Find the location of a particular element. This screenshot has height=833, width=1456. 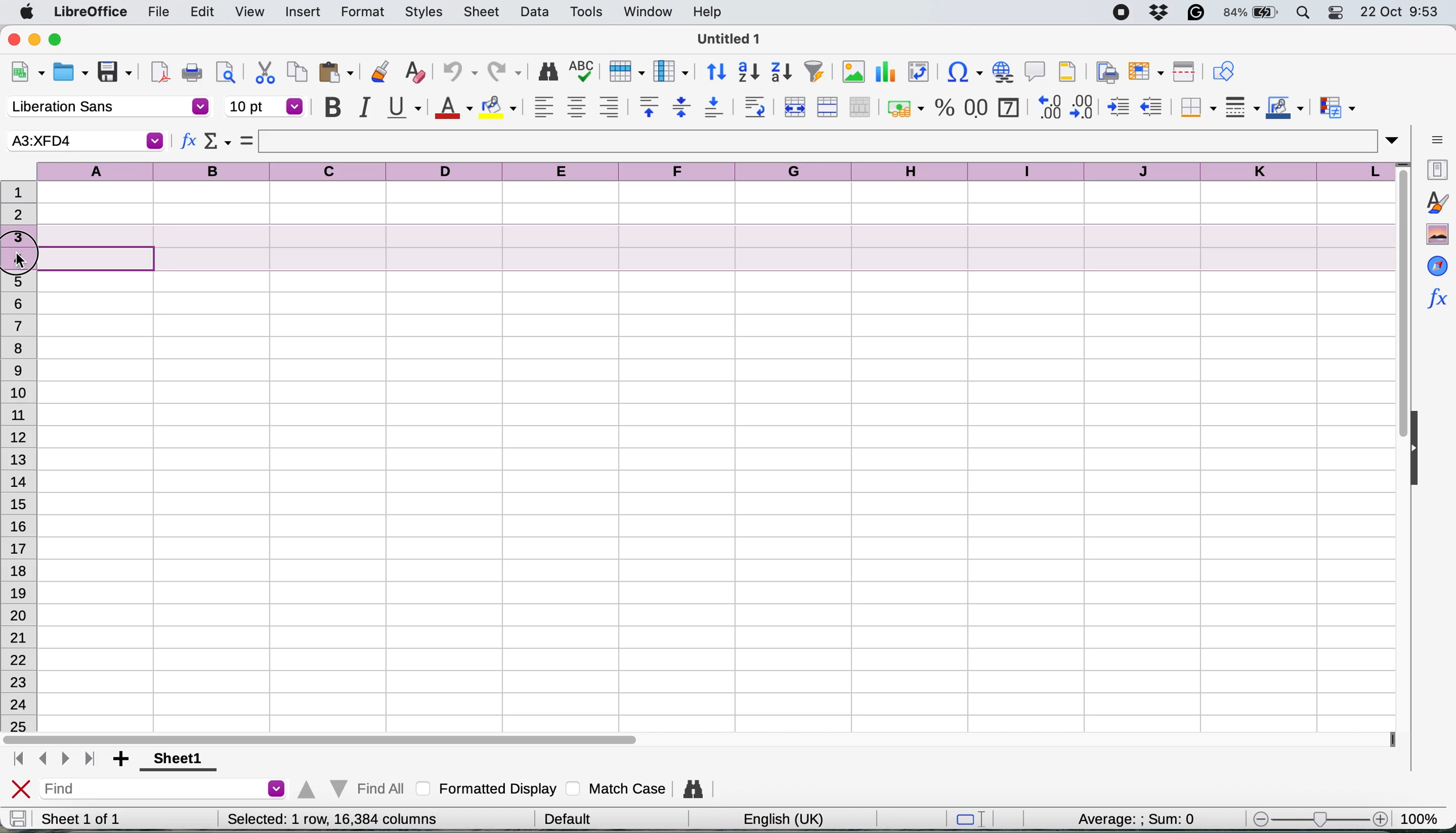

align right is located at coordinates (608, 107).